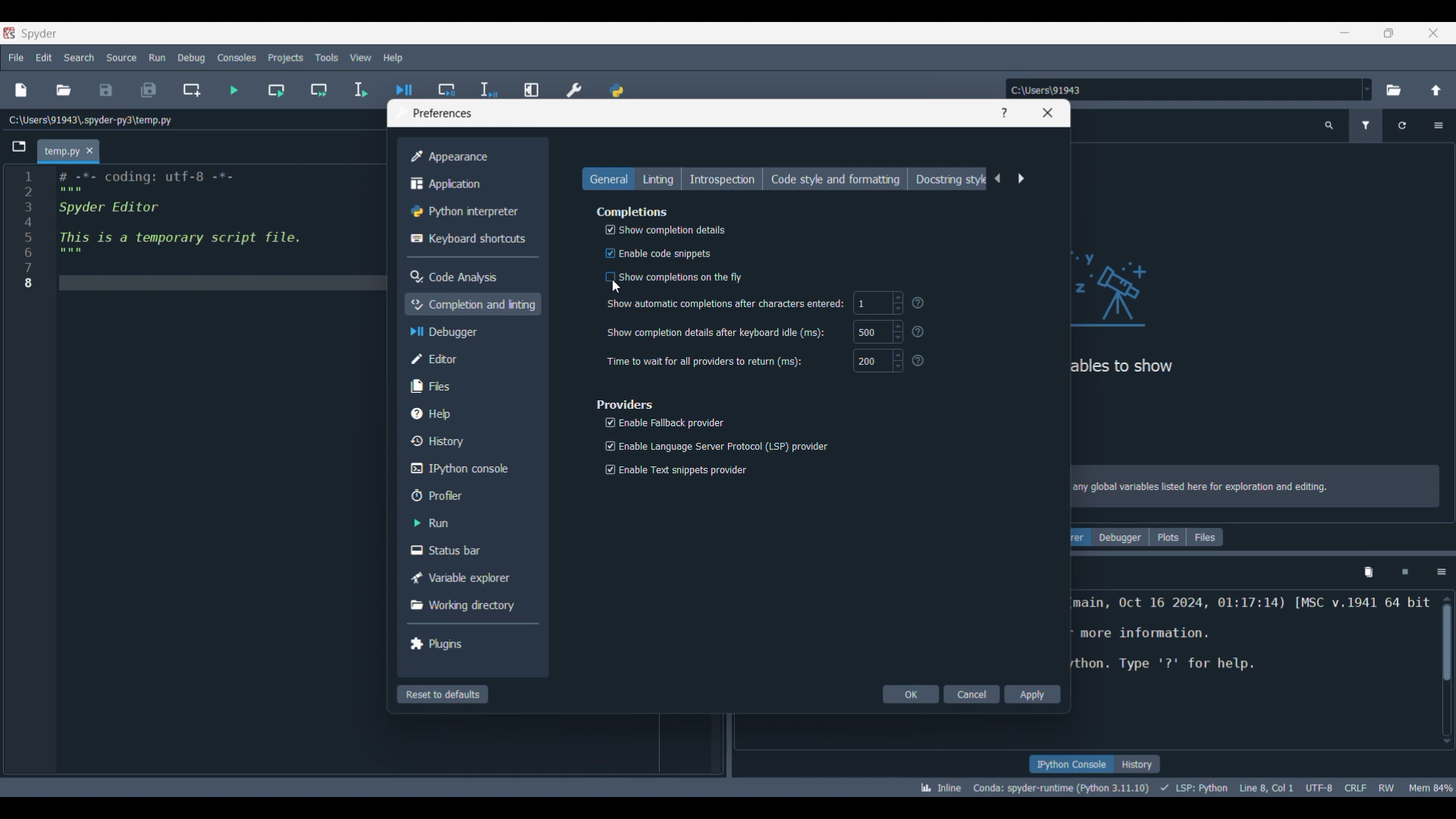 The image size is (1456, 819). Describe the element at coordinates (469, 212) in the screenshot. I see `Python interpreter` at that location.